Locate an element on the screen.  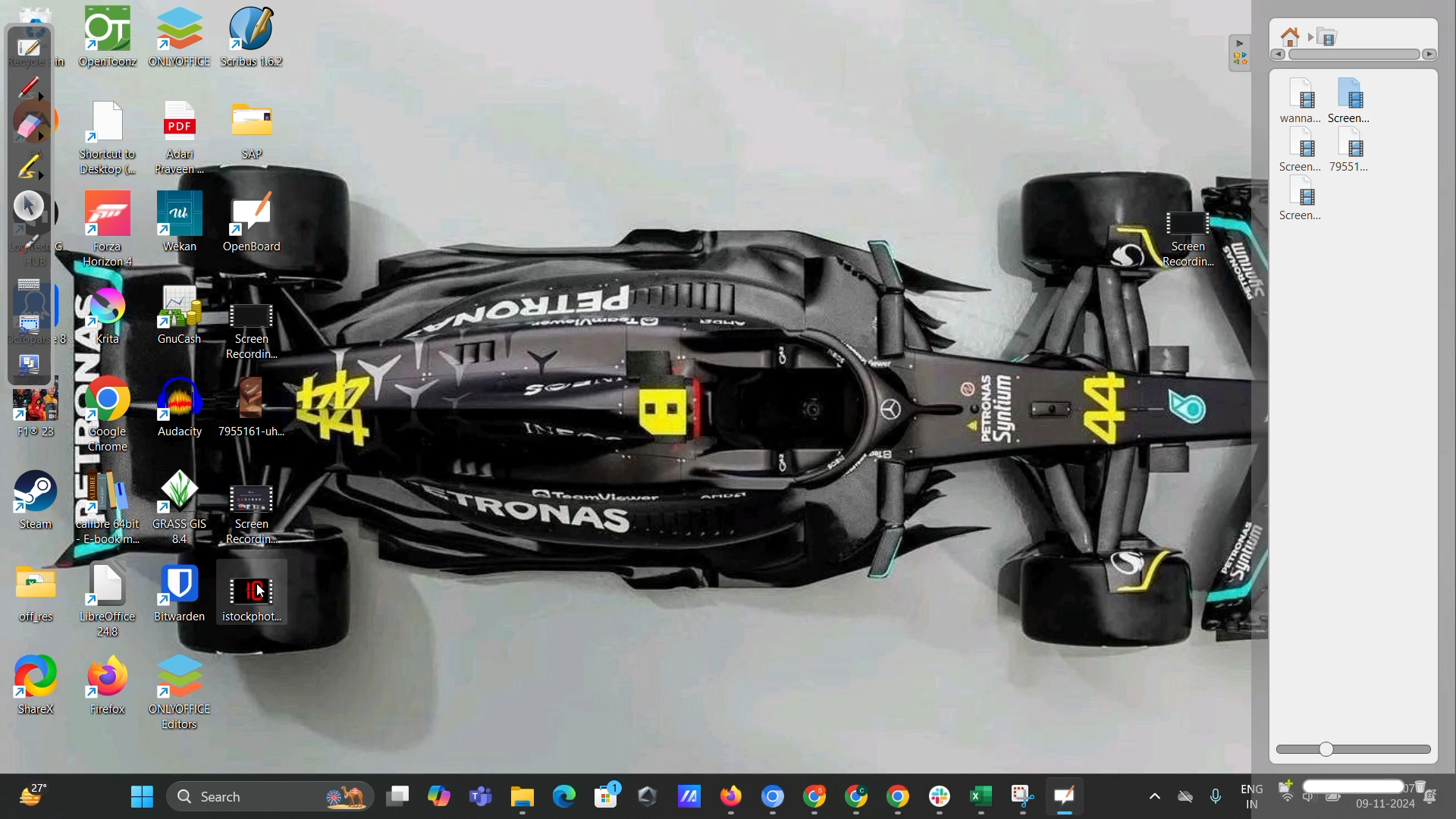
microsoft edge is located at coordinates (560, 799).